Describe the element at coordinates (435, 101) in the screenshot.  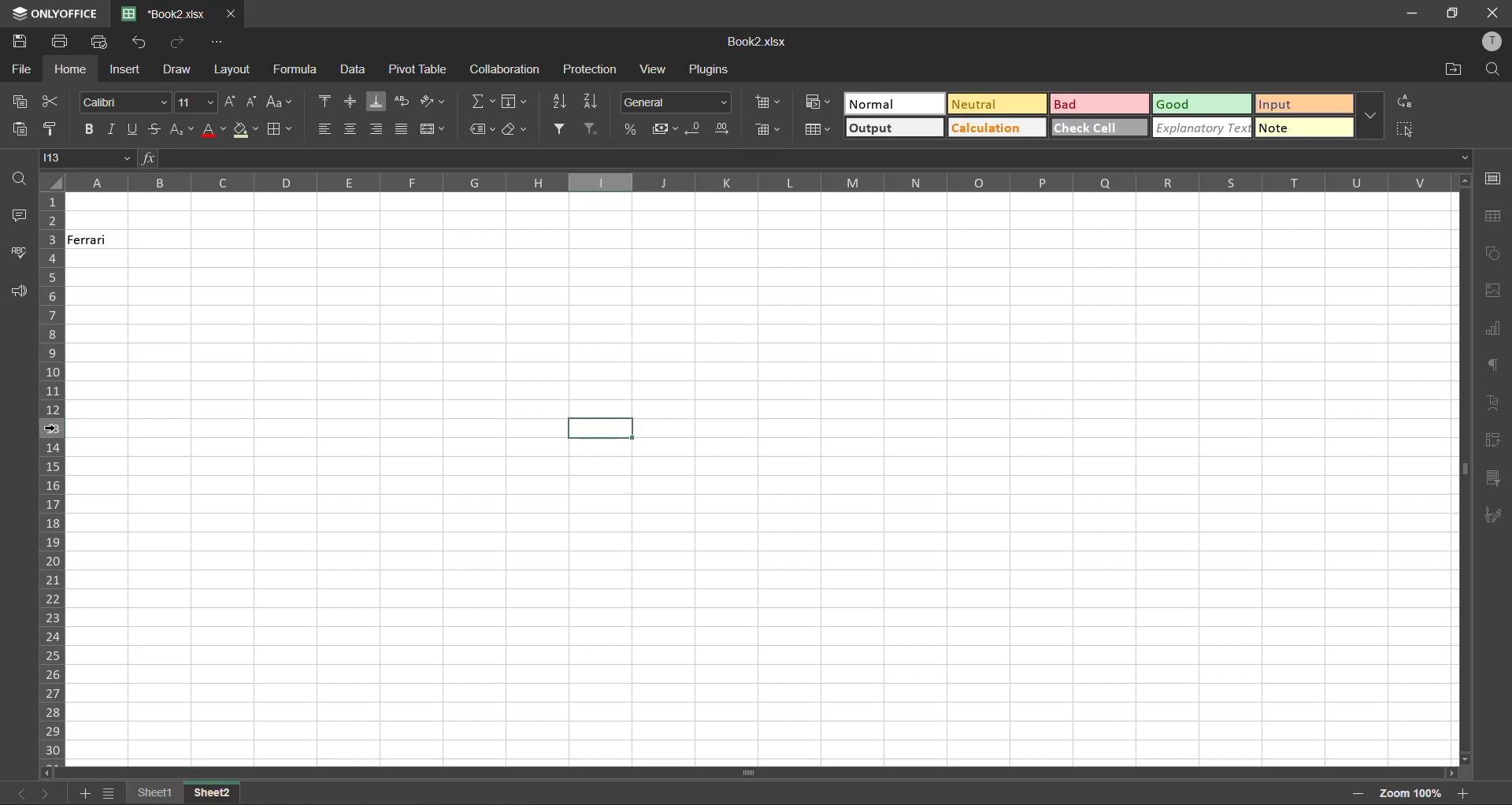
I see `orientation` at that location.